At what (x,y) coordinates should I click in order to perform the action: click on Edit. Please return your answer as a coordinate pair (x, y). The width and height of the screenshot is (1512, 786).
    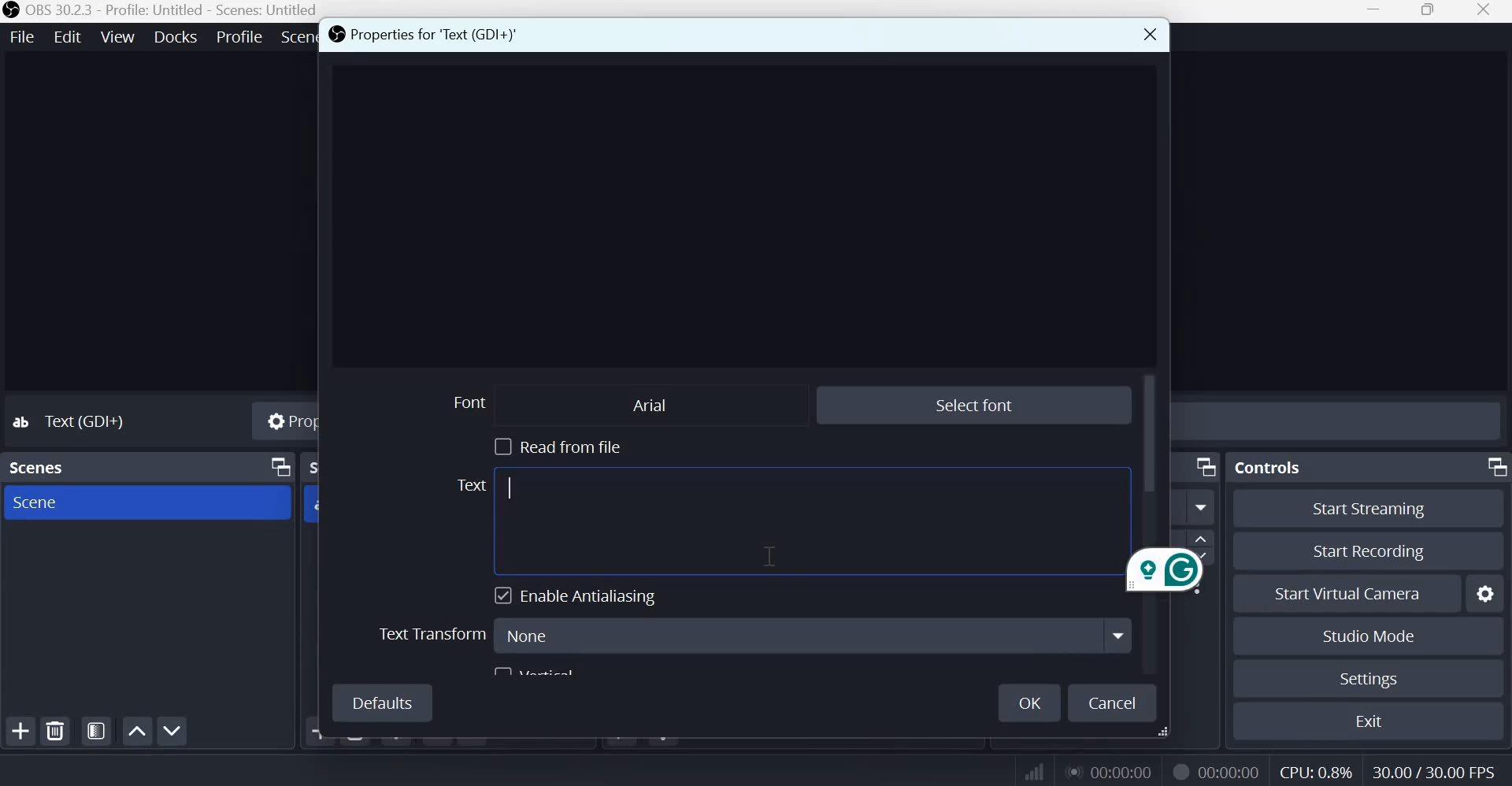
    Looking at the image, I should click on (69, 37).